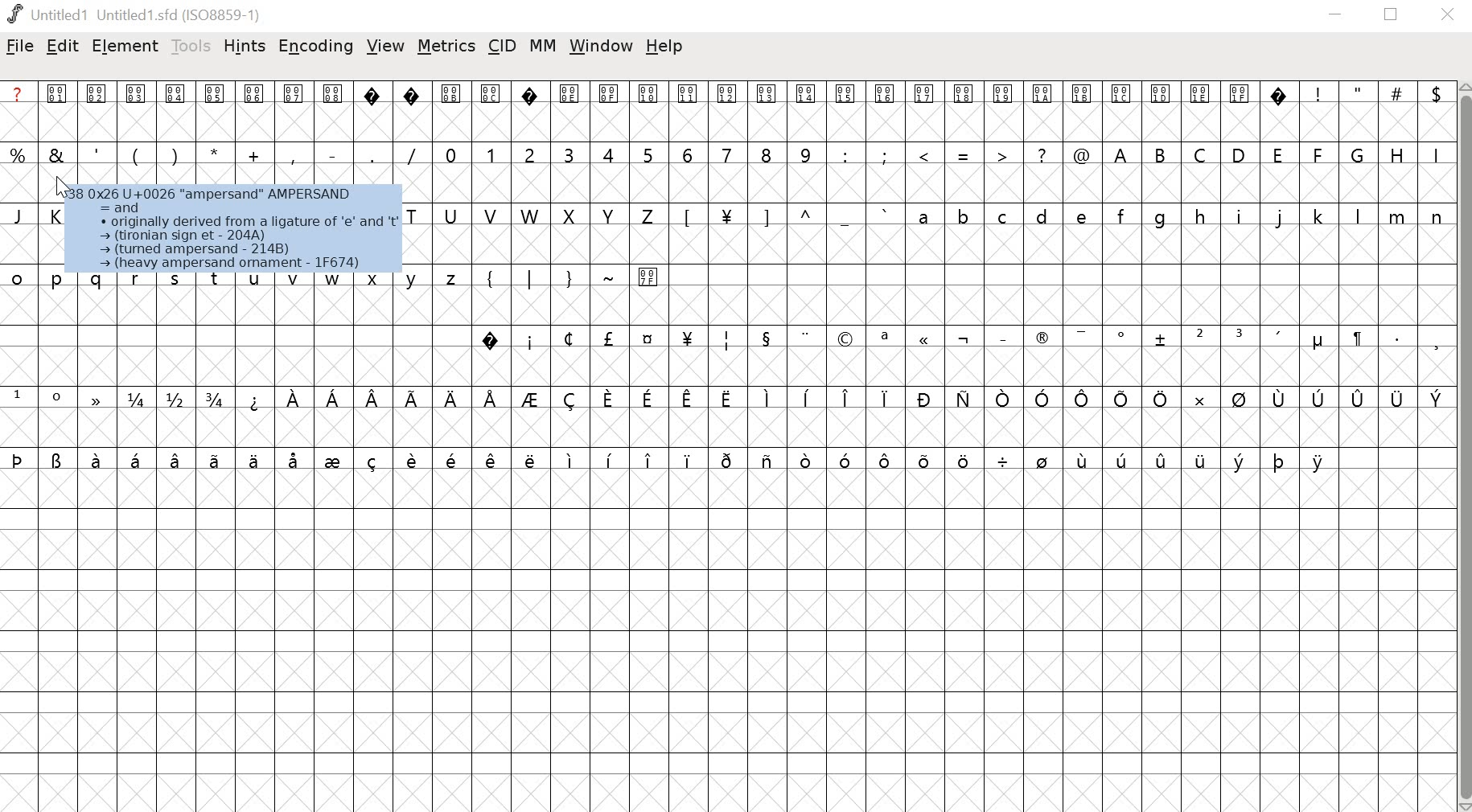  I want to click on D, so click(1240, 154).